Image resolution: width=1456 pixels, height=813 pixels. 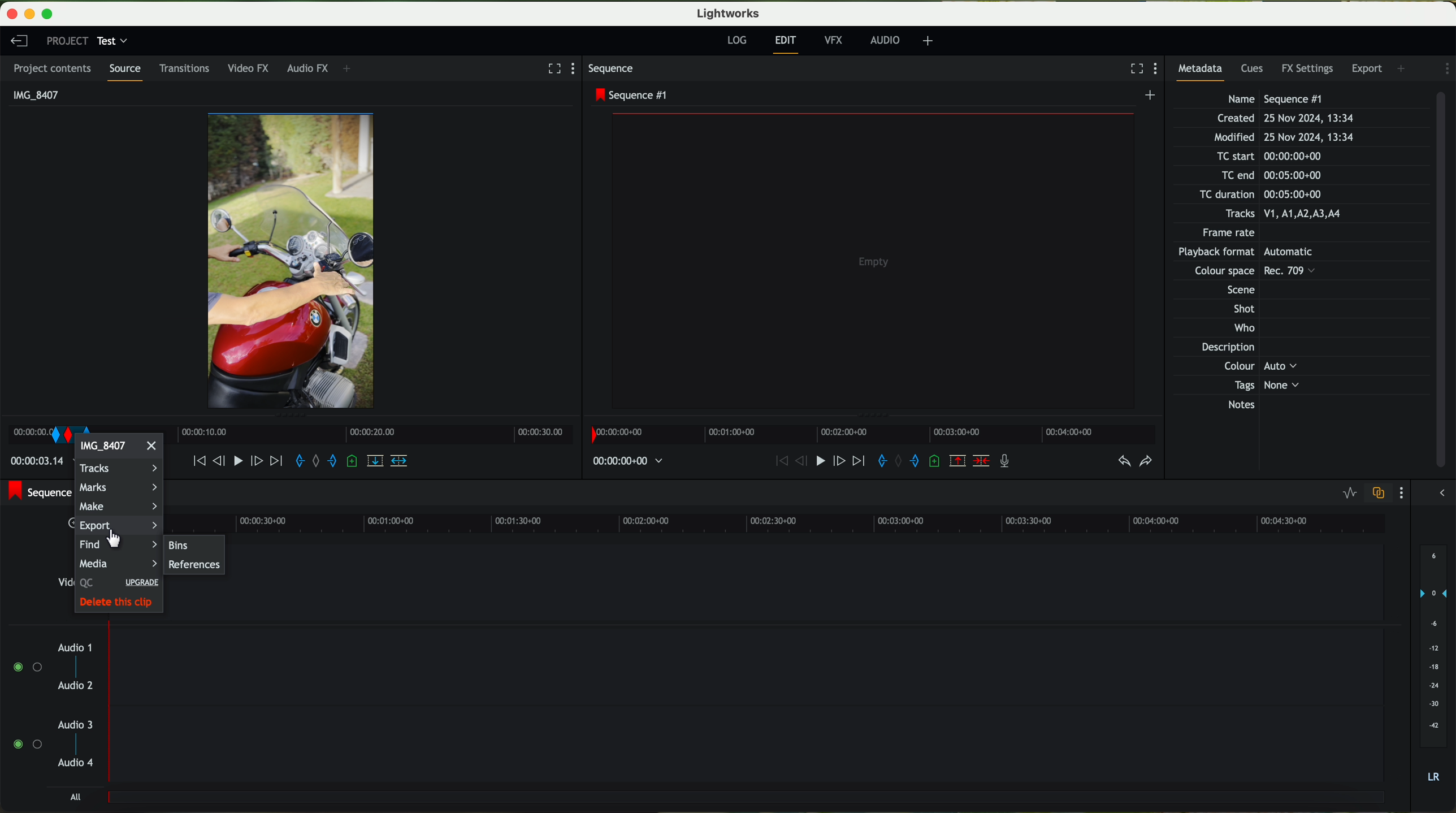 I want to click on Modified, so click(x=1282, y=138).